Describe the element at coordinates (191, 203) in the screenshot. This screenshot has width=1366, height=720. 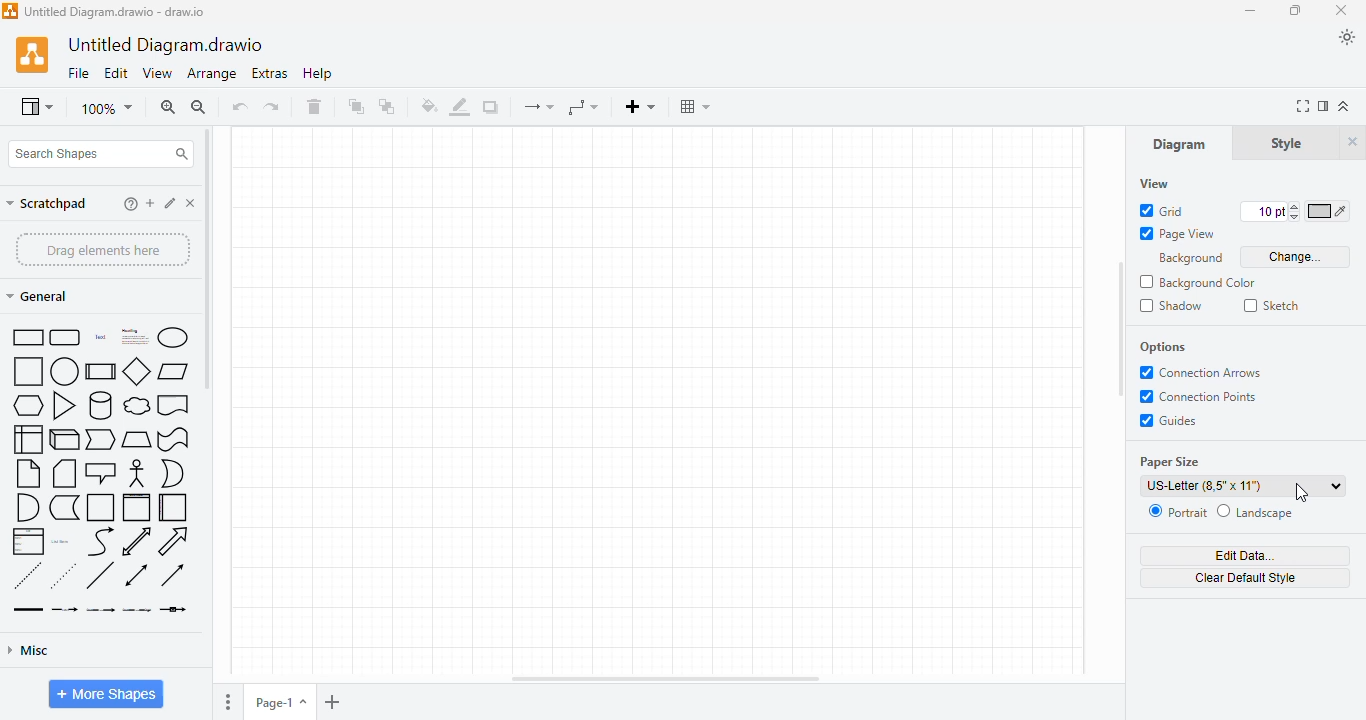
I see `delete` at that location.